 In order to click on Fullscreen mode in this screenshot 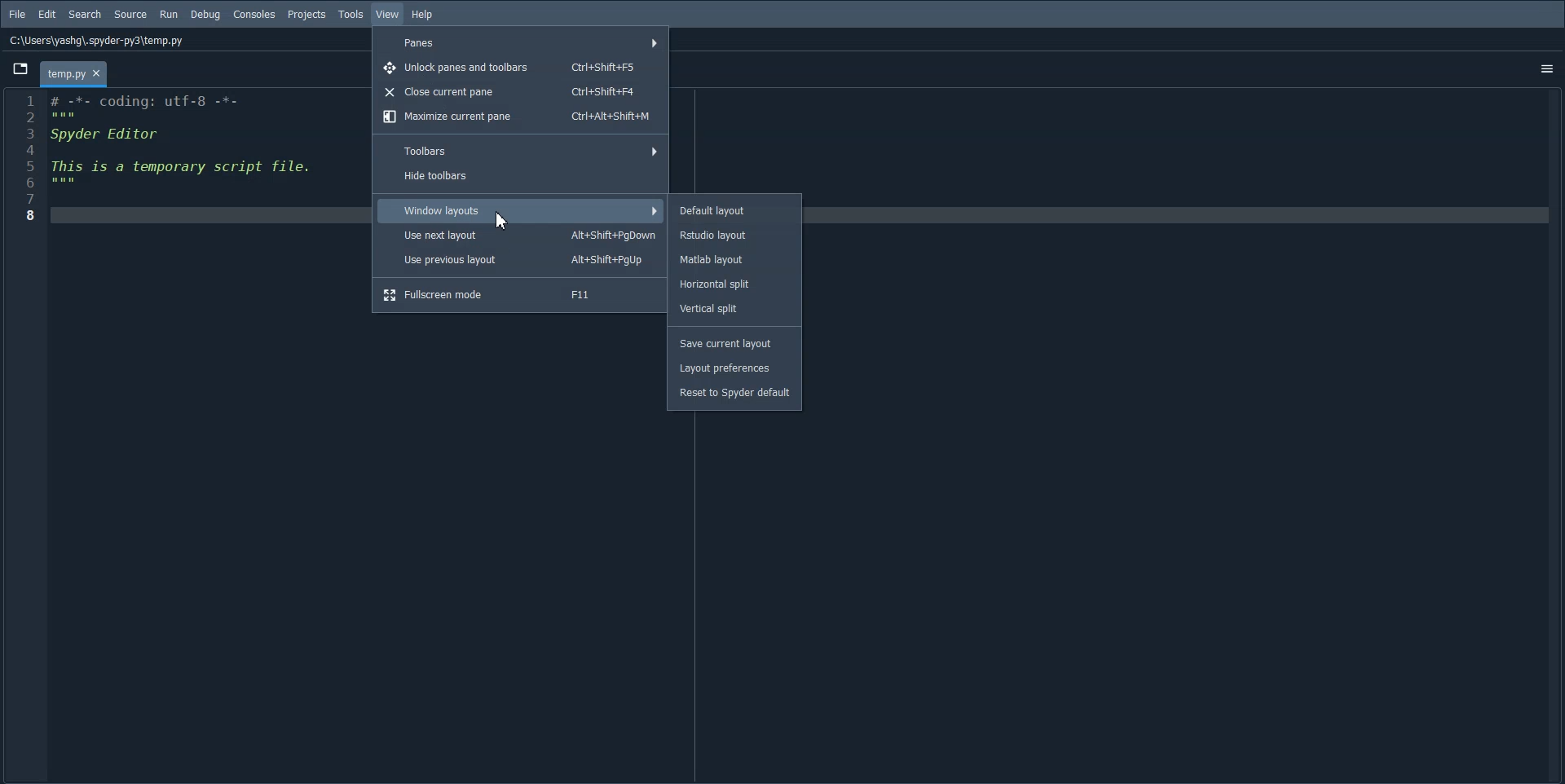, I will do `click(520, 293)`.